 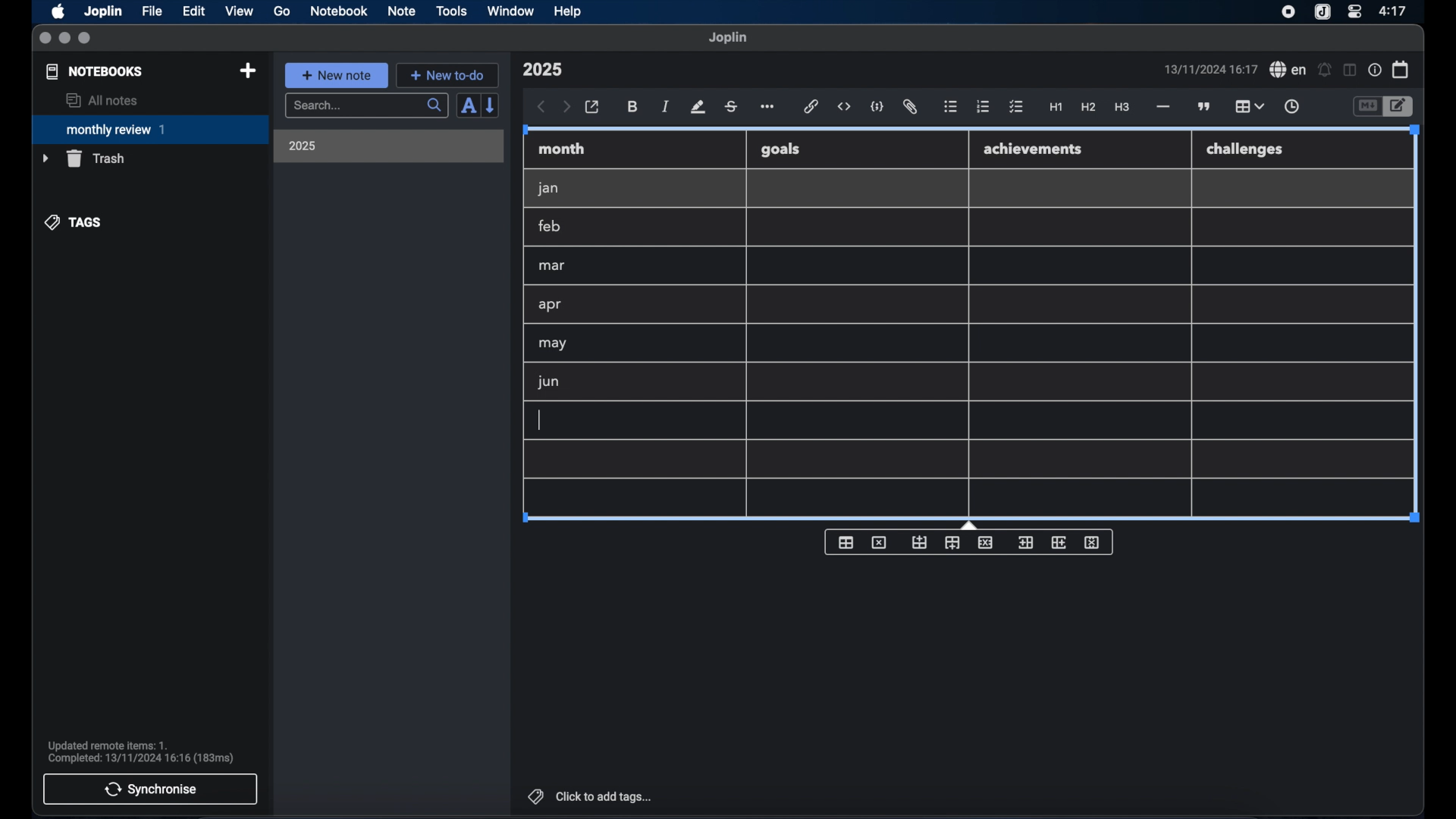 I want to click on spel check, so click(x=1288, y=70).